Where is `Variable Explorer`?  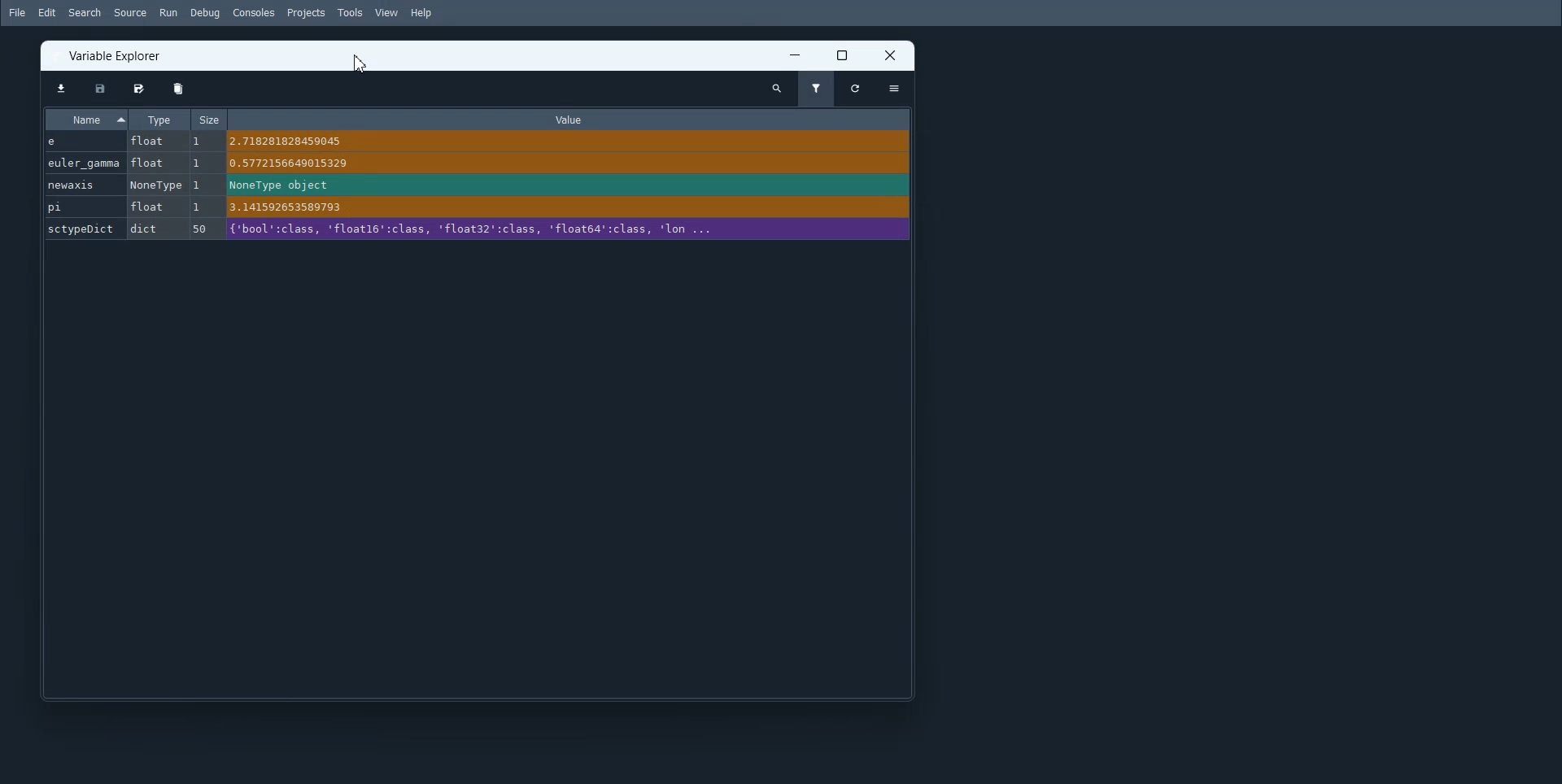 Variable Explorer is located at coordinates (117, 54).